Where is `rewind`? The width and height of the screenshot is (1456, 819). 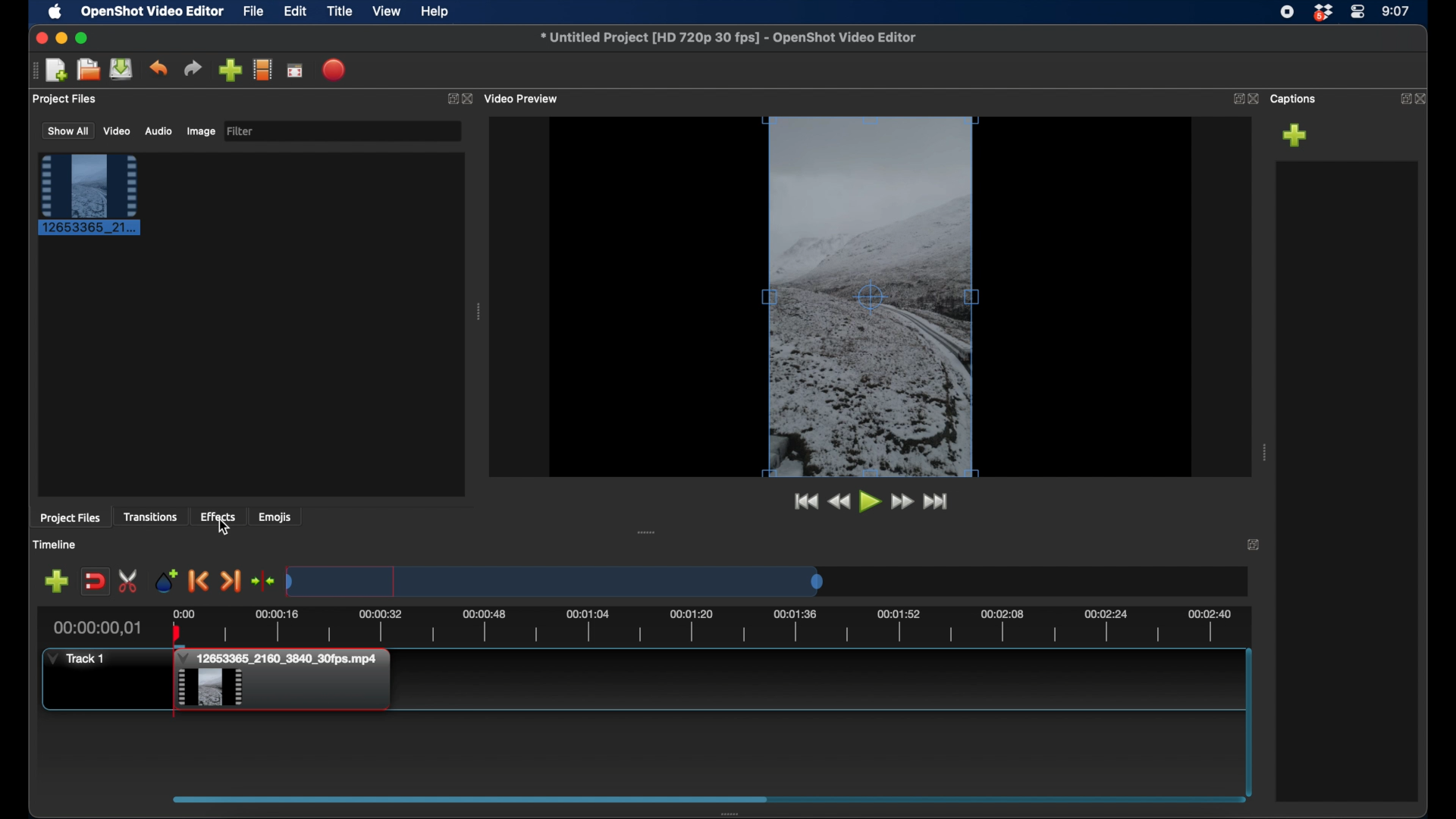 rewind is located at coordinates (839, 501).